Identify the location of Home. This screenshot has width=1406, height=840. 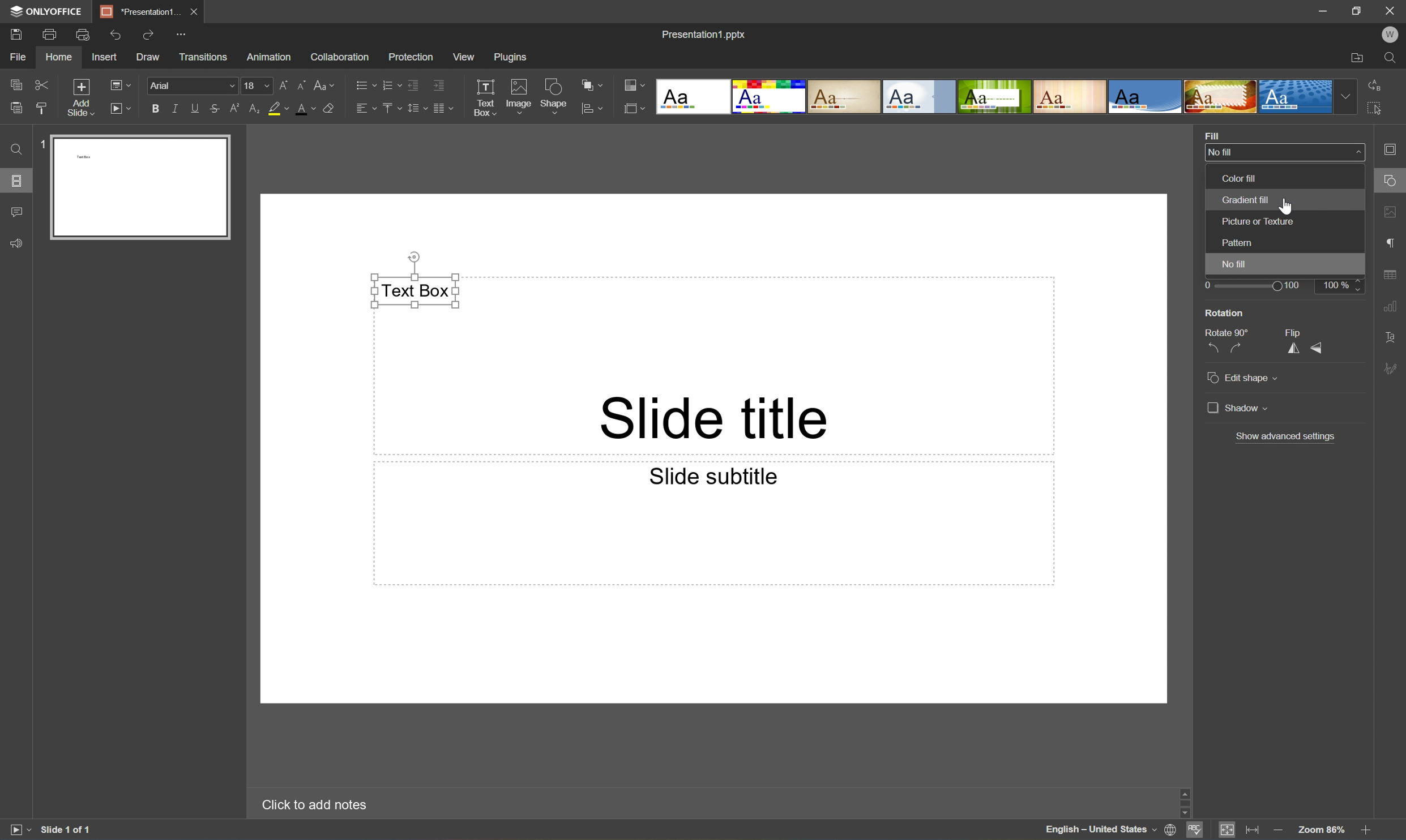
(60, 57).